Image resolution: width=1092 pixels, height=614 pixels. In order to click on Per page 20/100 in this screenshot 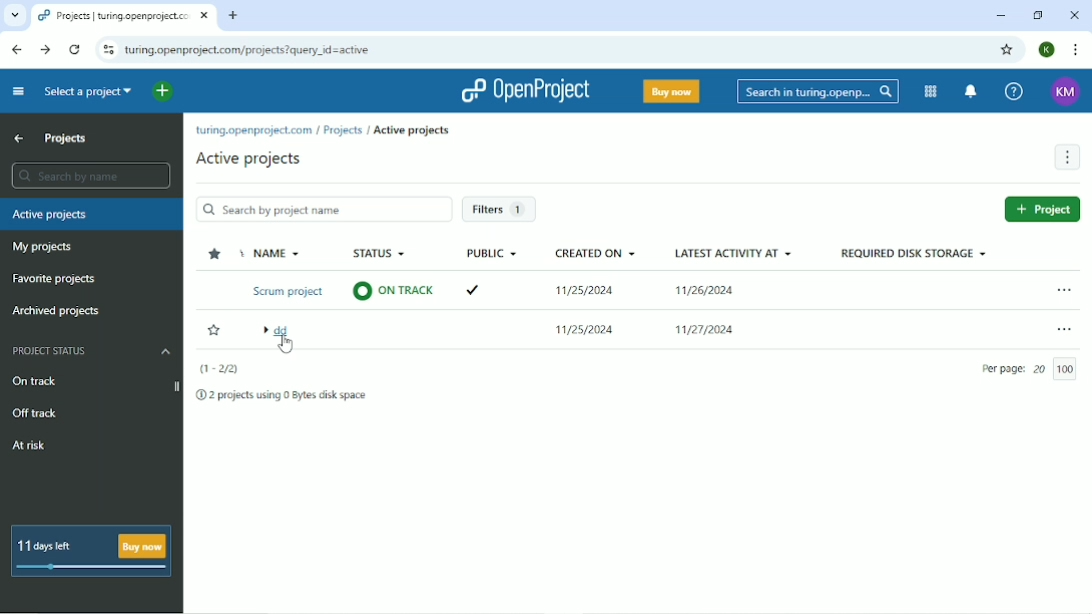, I will do `click(1035, 368)`.